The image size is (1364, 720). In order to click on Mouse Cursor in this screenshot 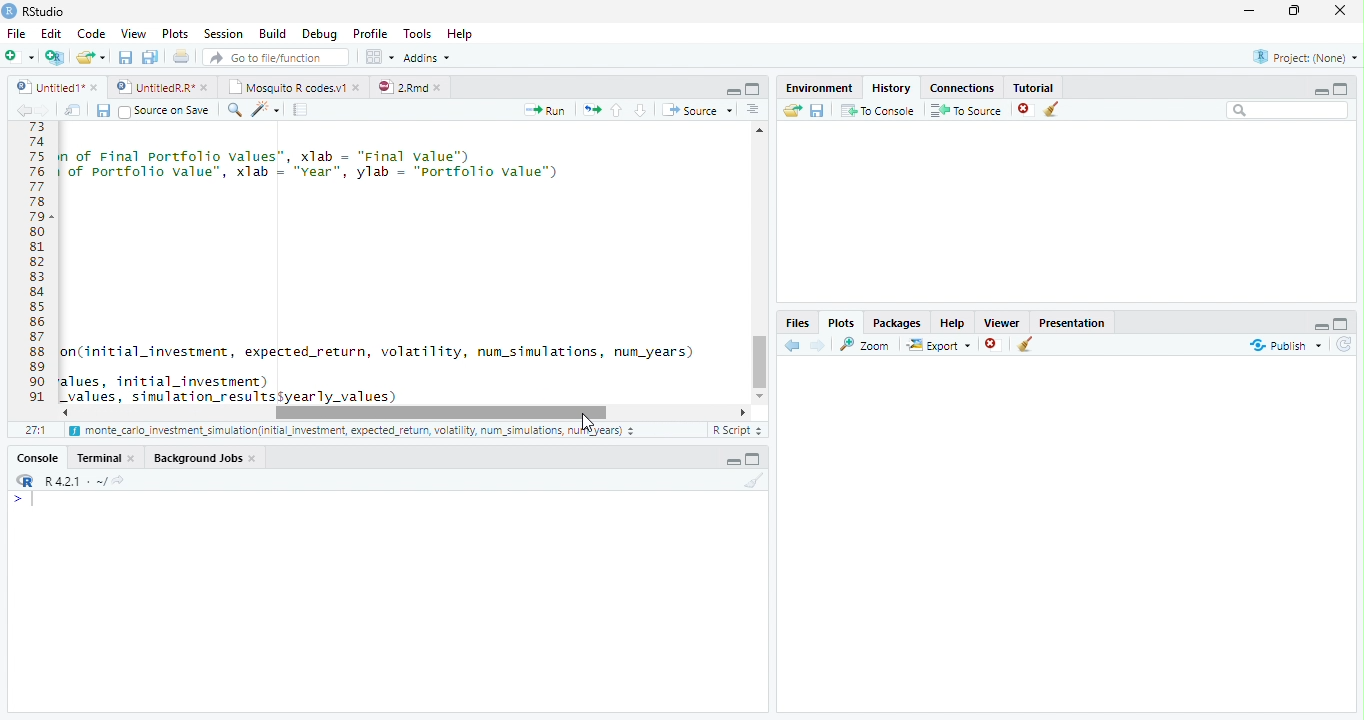, I will do `click(591, 423)`.